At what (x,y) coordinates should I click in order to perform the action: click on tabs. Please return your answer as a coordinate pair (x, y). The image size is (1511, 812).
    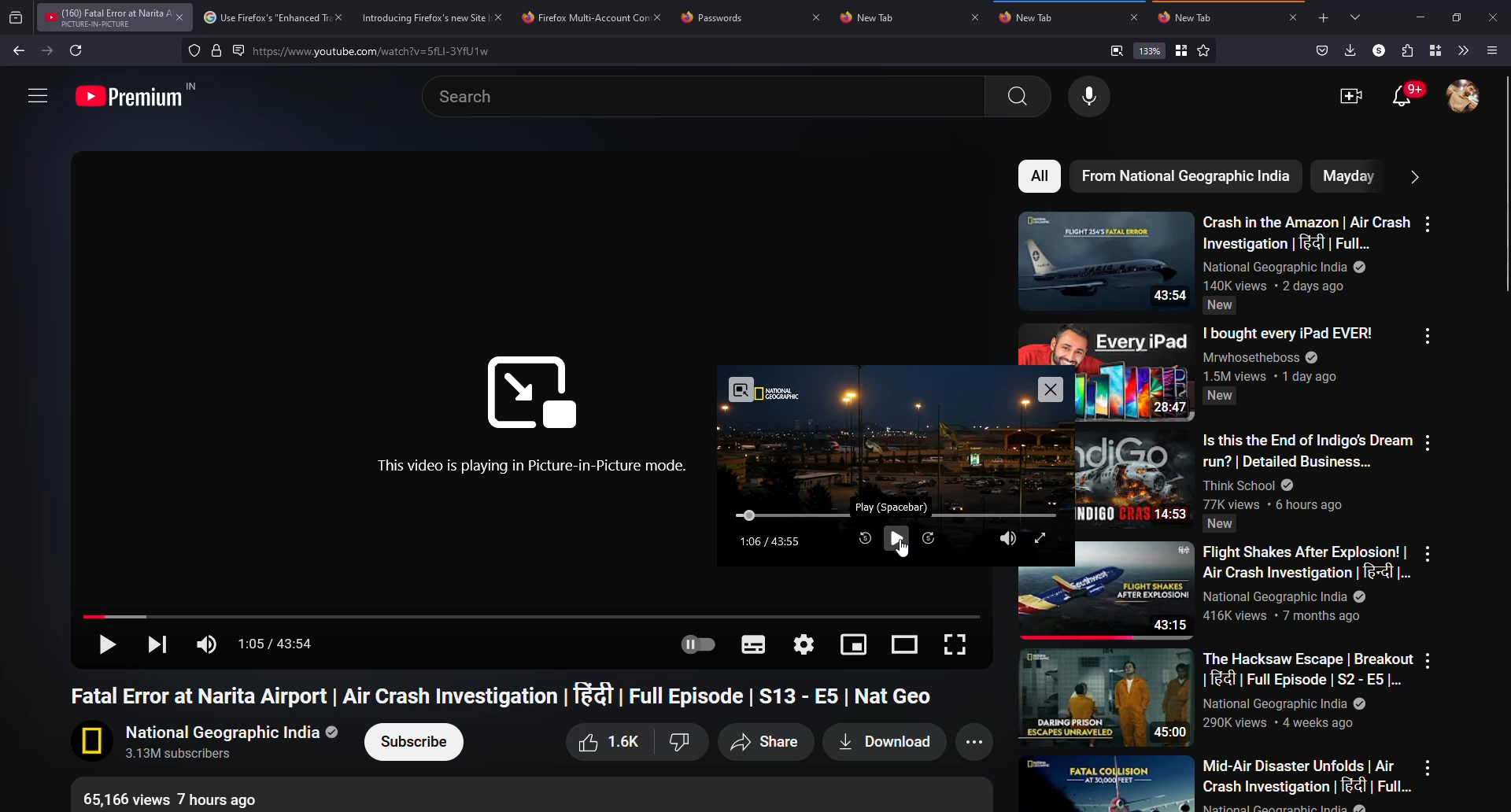
    Looking at the image, I should click on (1357, 18).